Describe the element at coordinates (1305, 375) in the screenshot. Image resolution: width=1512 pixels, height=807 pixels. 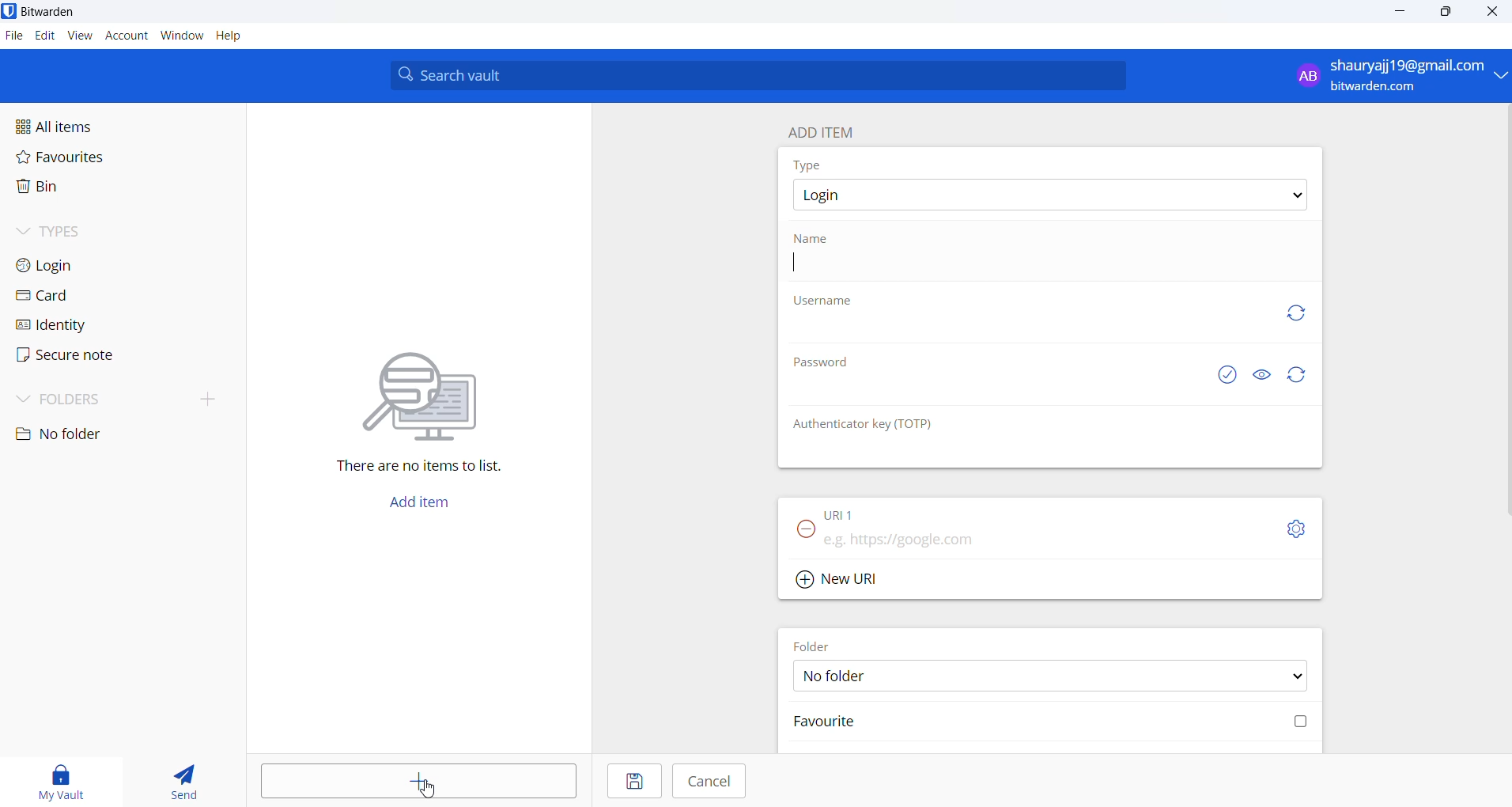
I see `Refresh` at that location.